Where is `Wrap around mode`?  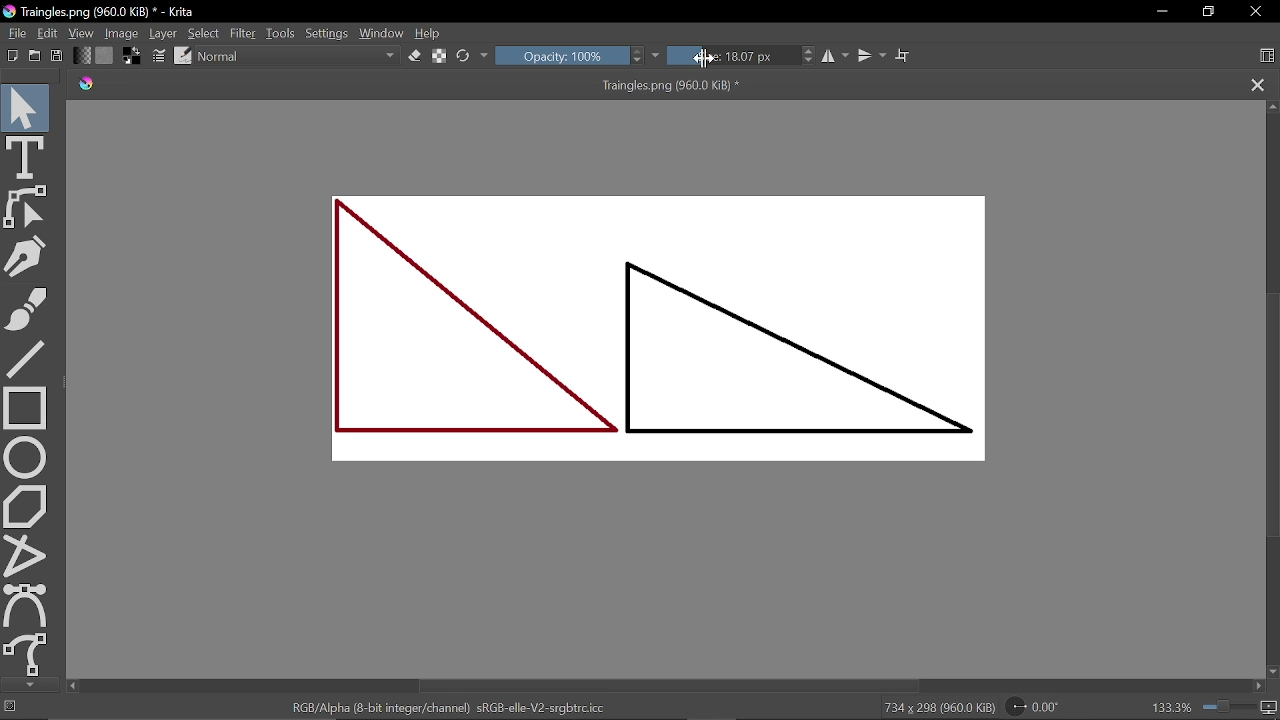
Wrap around mode is located at coordinates (906, 57).